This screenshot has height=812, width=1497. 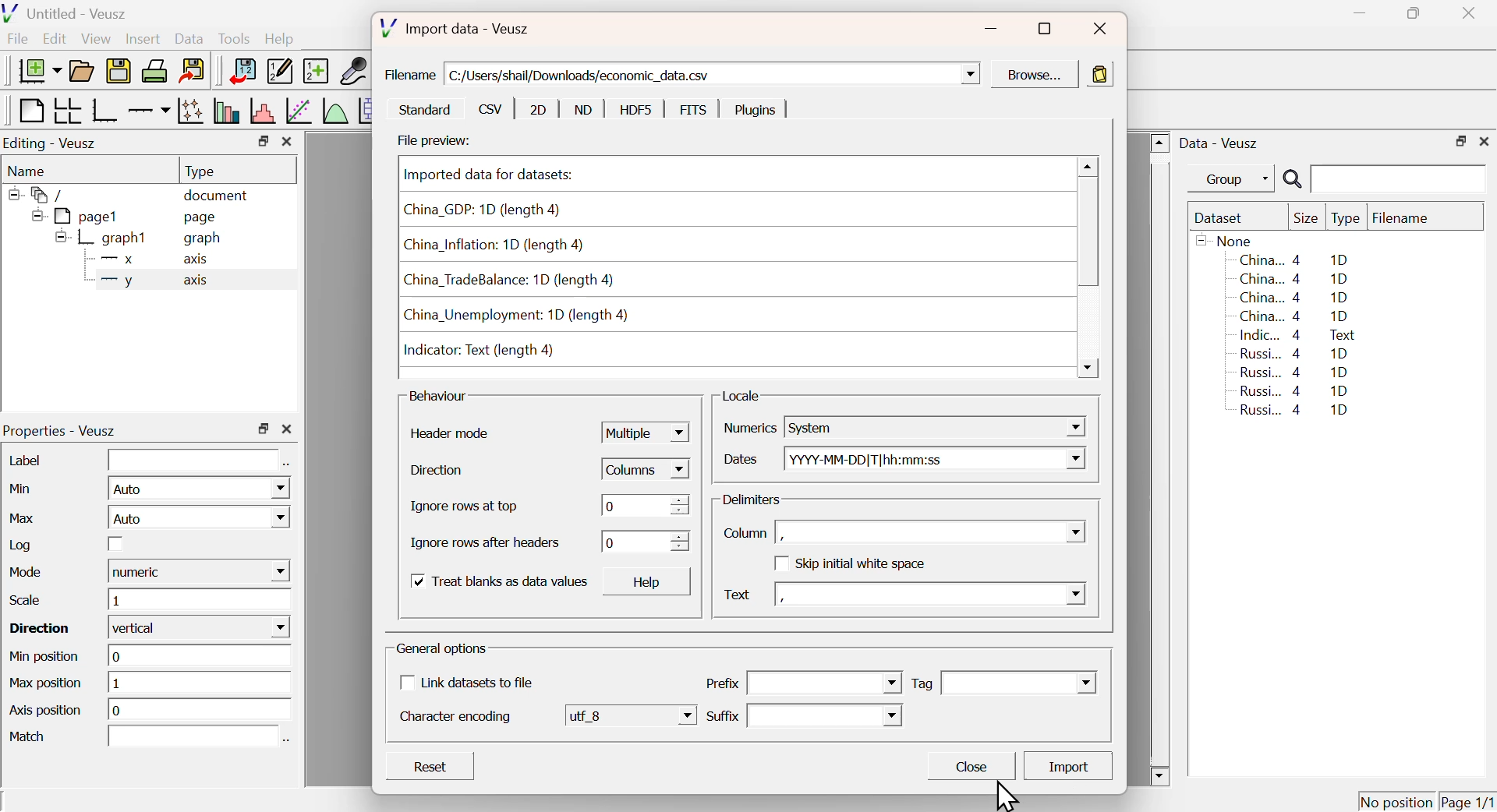 I want to click on Open a document, so click(x=80, y=71).